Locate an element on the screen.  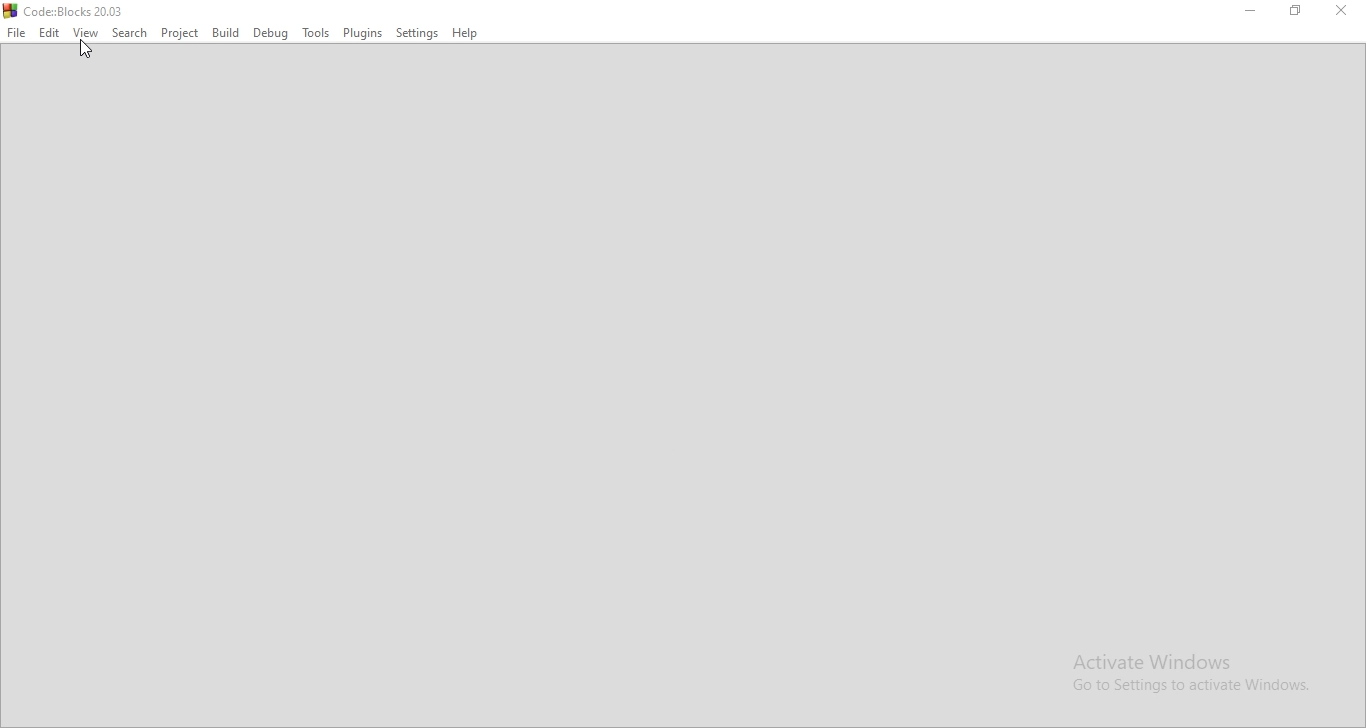
File is located at coordinates (16, 33).